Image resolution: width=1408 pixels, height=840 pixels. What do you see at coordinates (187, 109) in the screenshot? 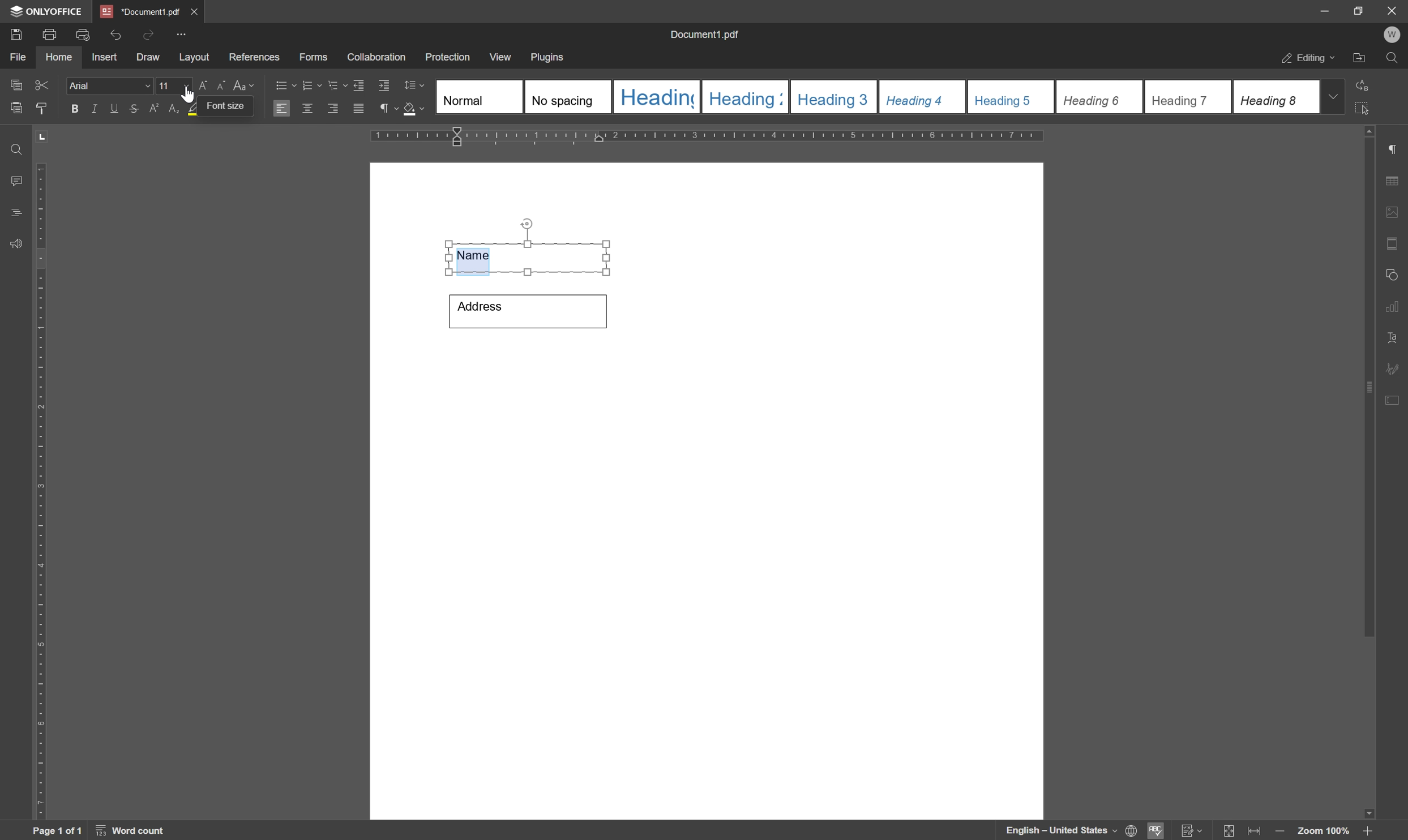
I see `highlight color` at bounding box center [187, 109].